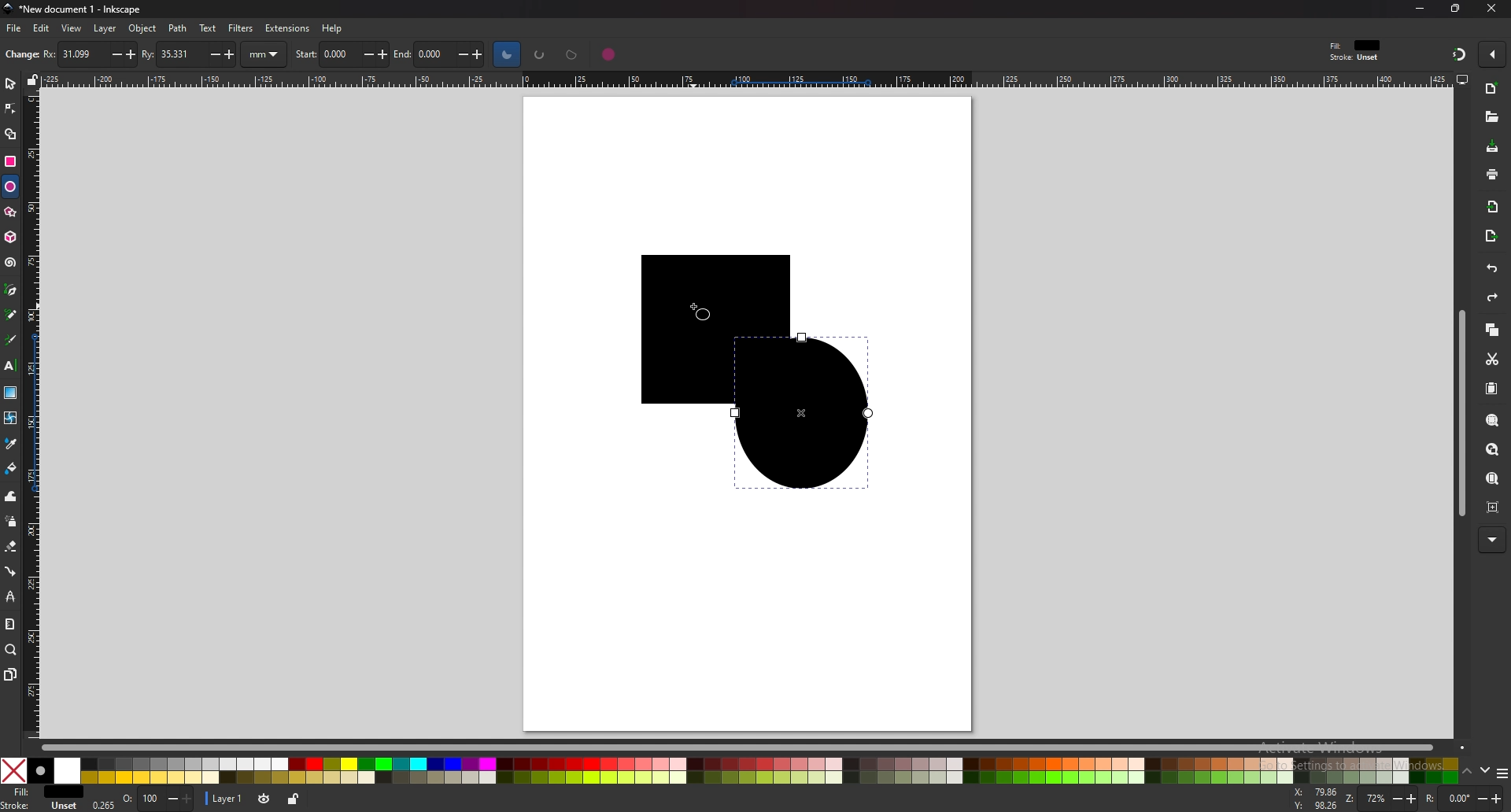  What do you see at coordinates (42, 792) in the screenshot?
I see `fill` at bounding box center [42, 792].